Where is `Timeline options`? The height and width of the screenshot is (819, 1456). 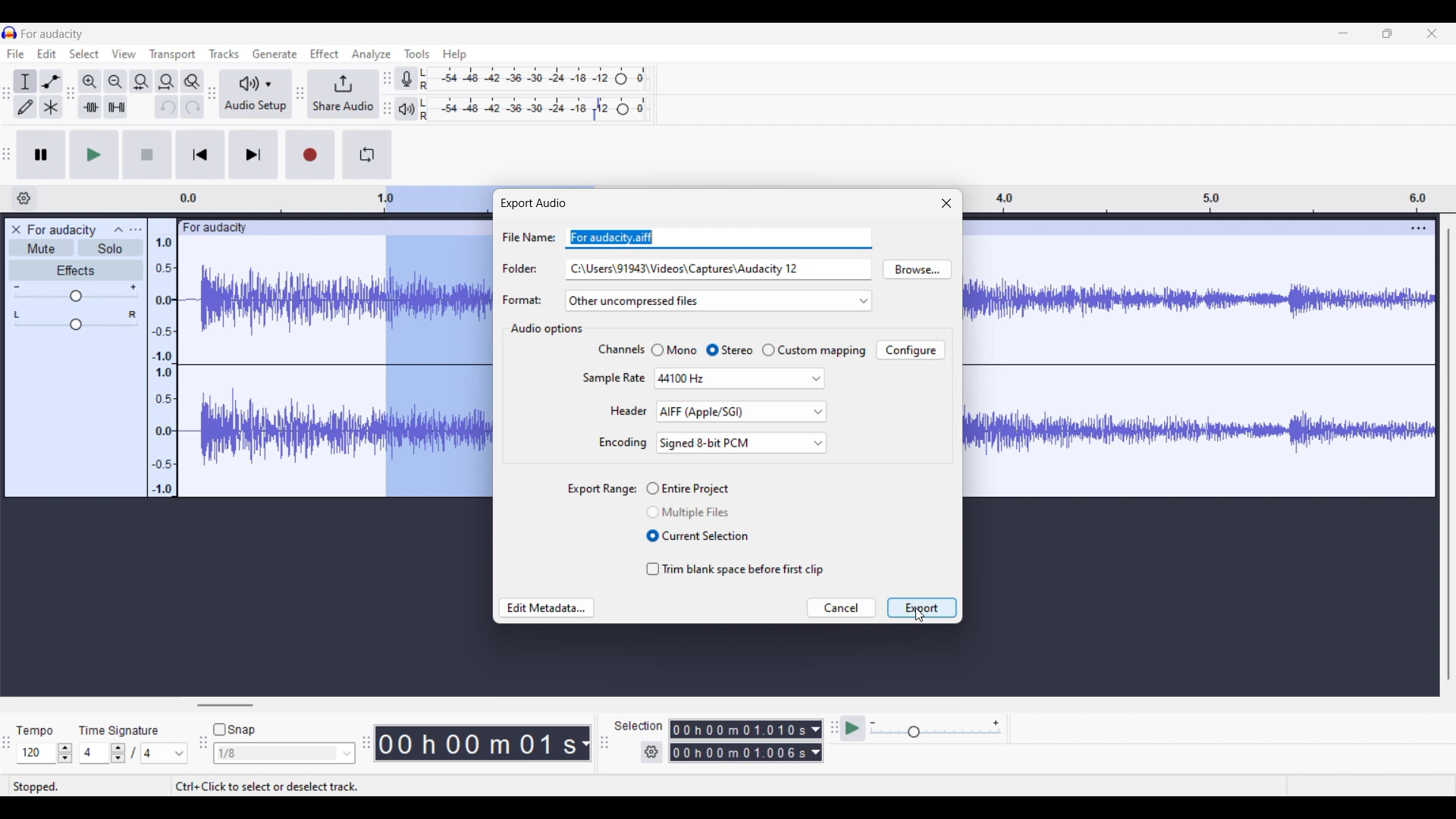
Timeline options is located at coordinates (24, 199).